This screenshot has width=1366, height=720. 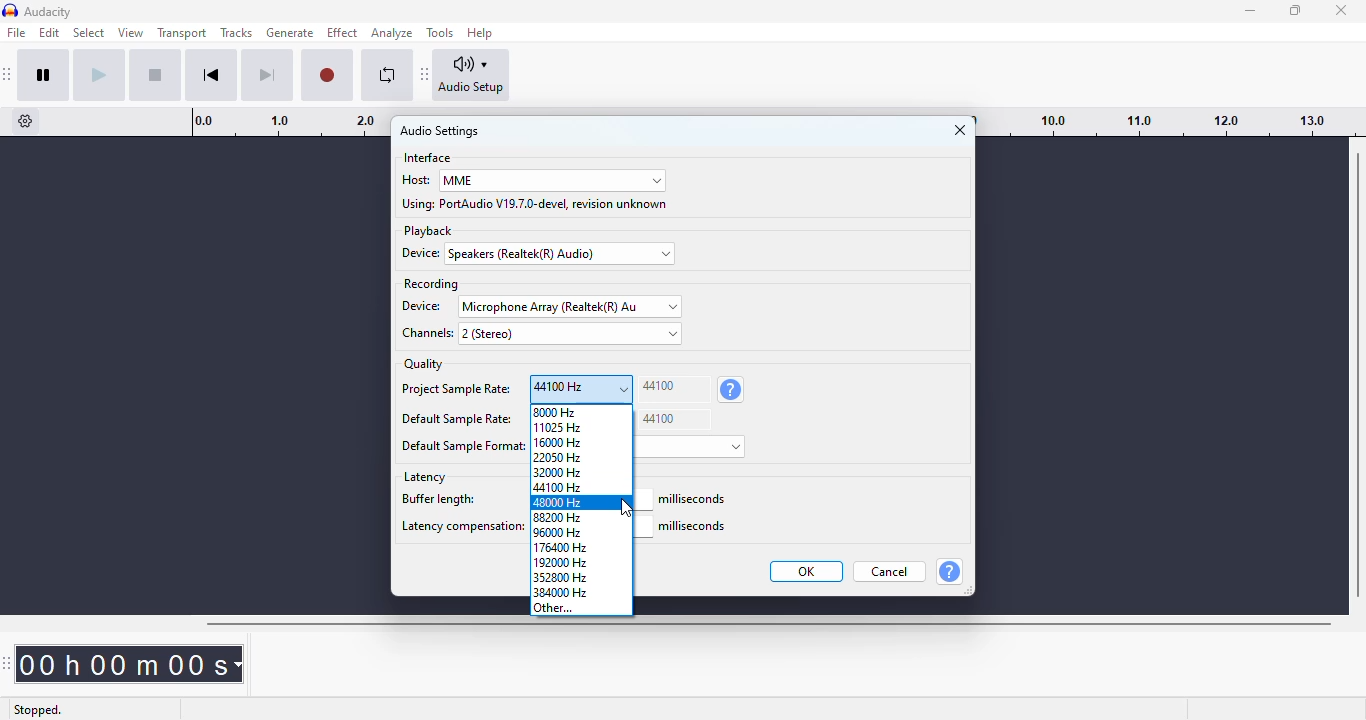 I want to click on channels, so click(x=425, y=334).